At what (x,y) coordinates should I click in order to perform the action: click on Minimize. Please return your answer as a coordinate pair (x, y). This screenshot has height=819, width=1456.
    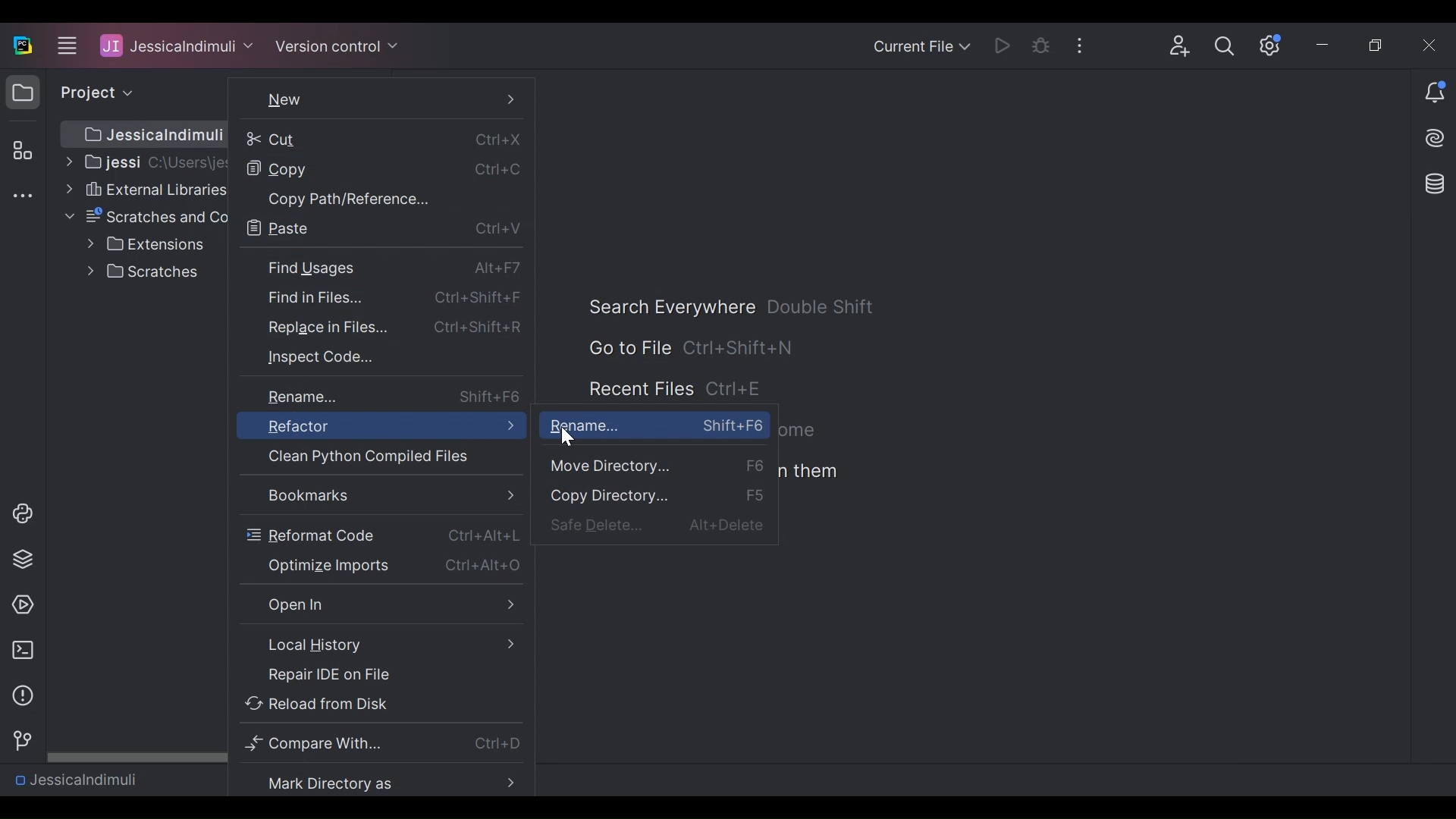
    Looking at the image, I should click on (1326, 47).